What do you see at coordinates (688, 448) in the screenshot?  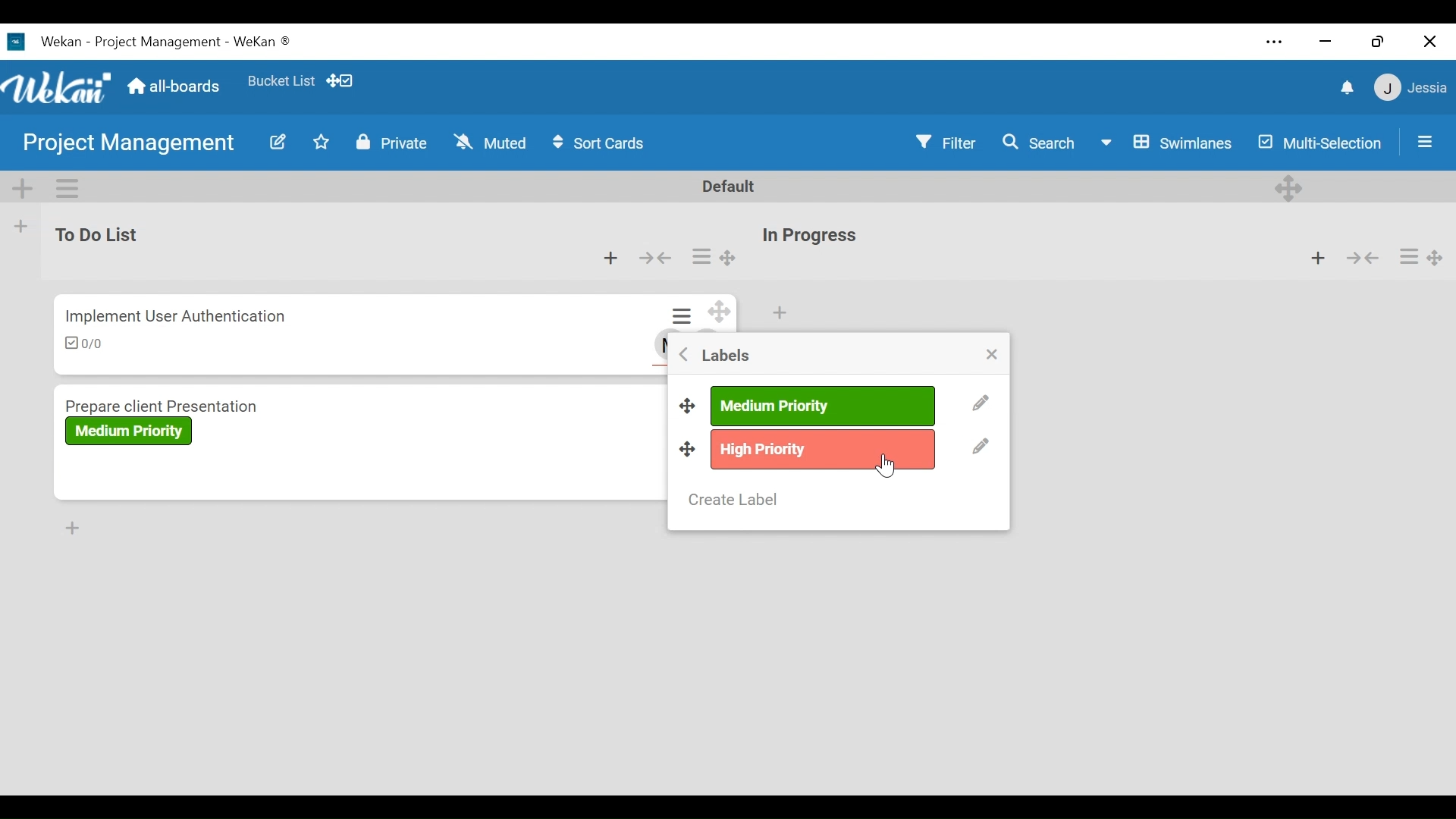 I see `Desktop drag handles` at bounding box center [688, 448].